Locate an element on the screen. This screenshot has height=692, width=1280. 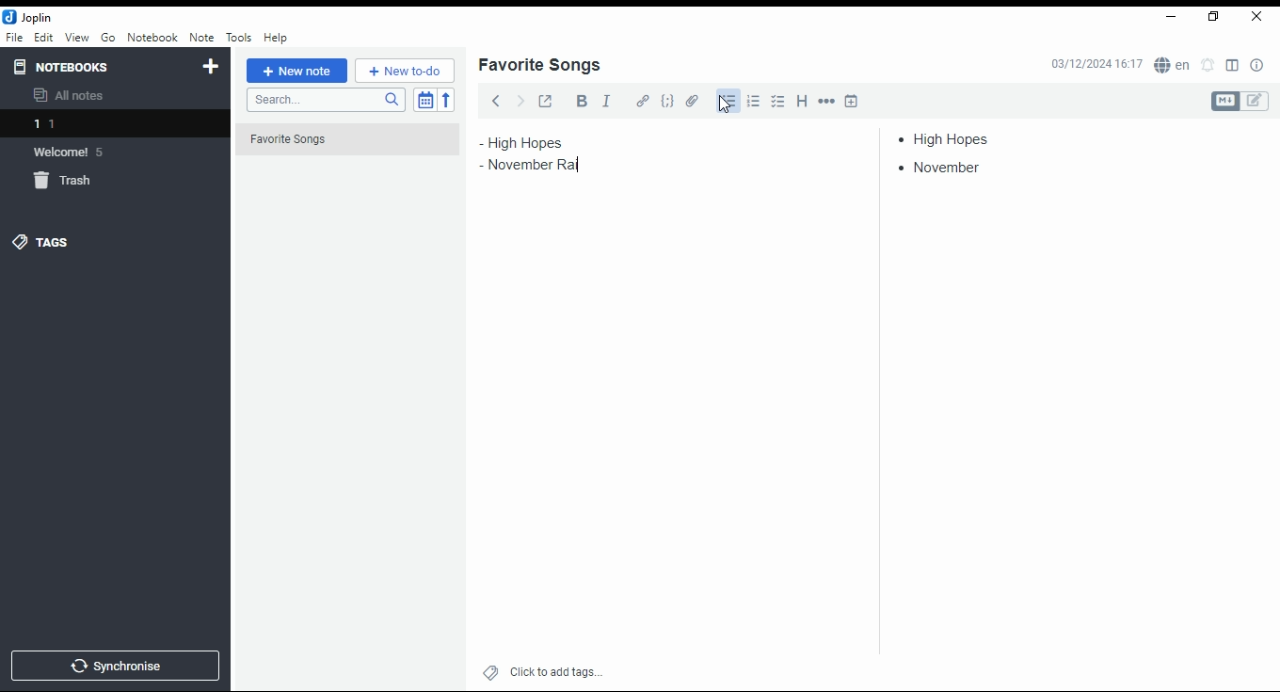
code is located at coordinates (667, 101).